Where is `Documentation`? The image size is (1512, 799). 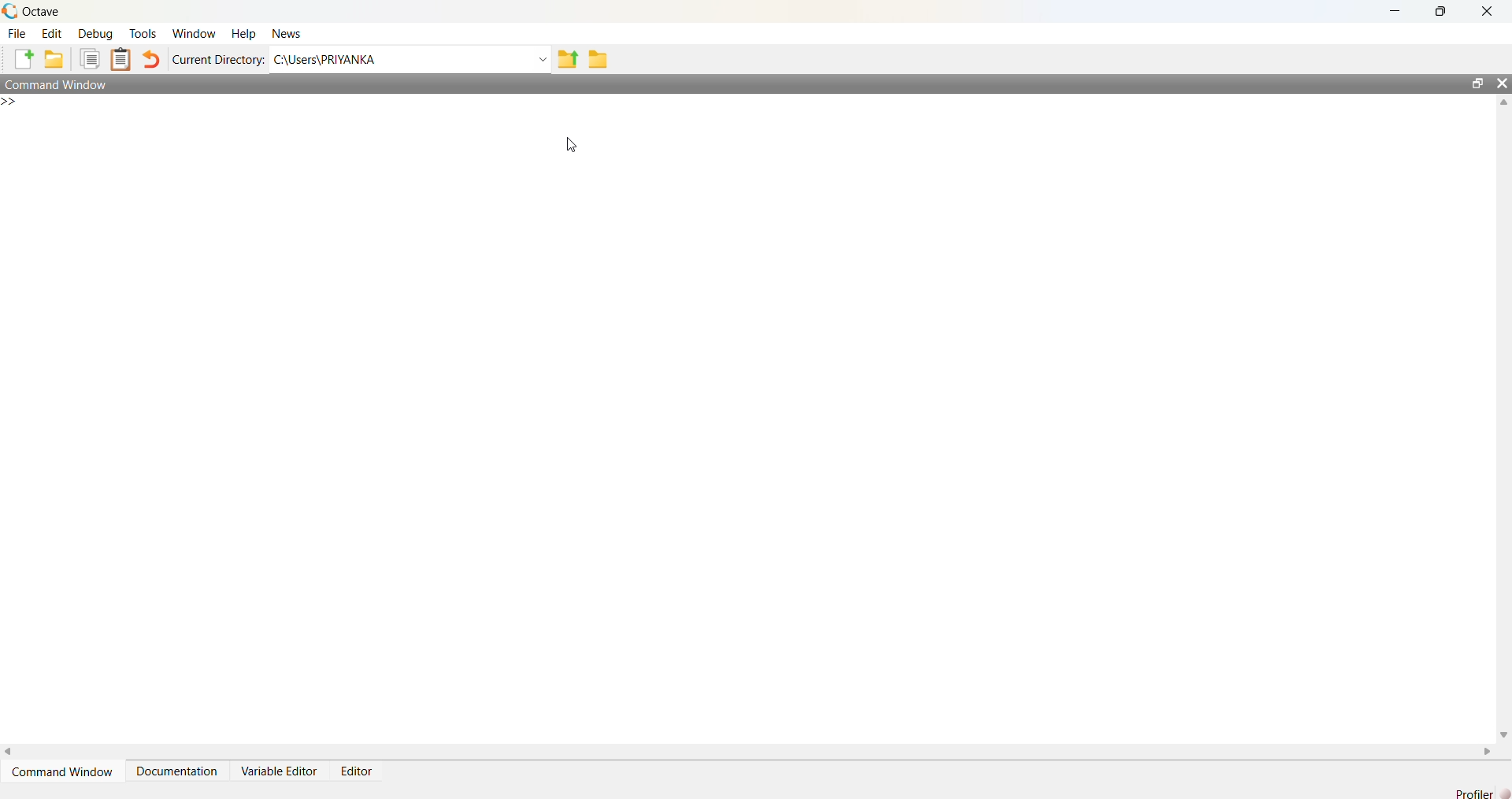
Documentation is located at coordinates (179, 770).